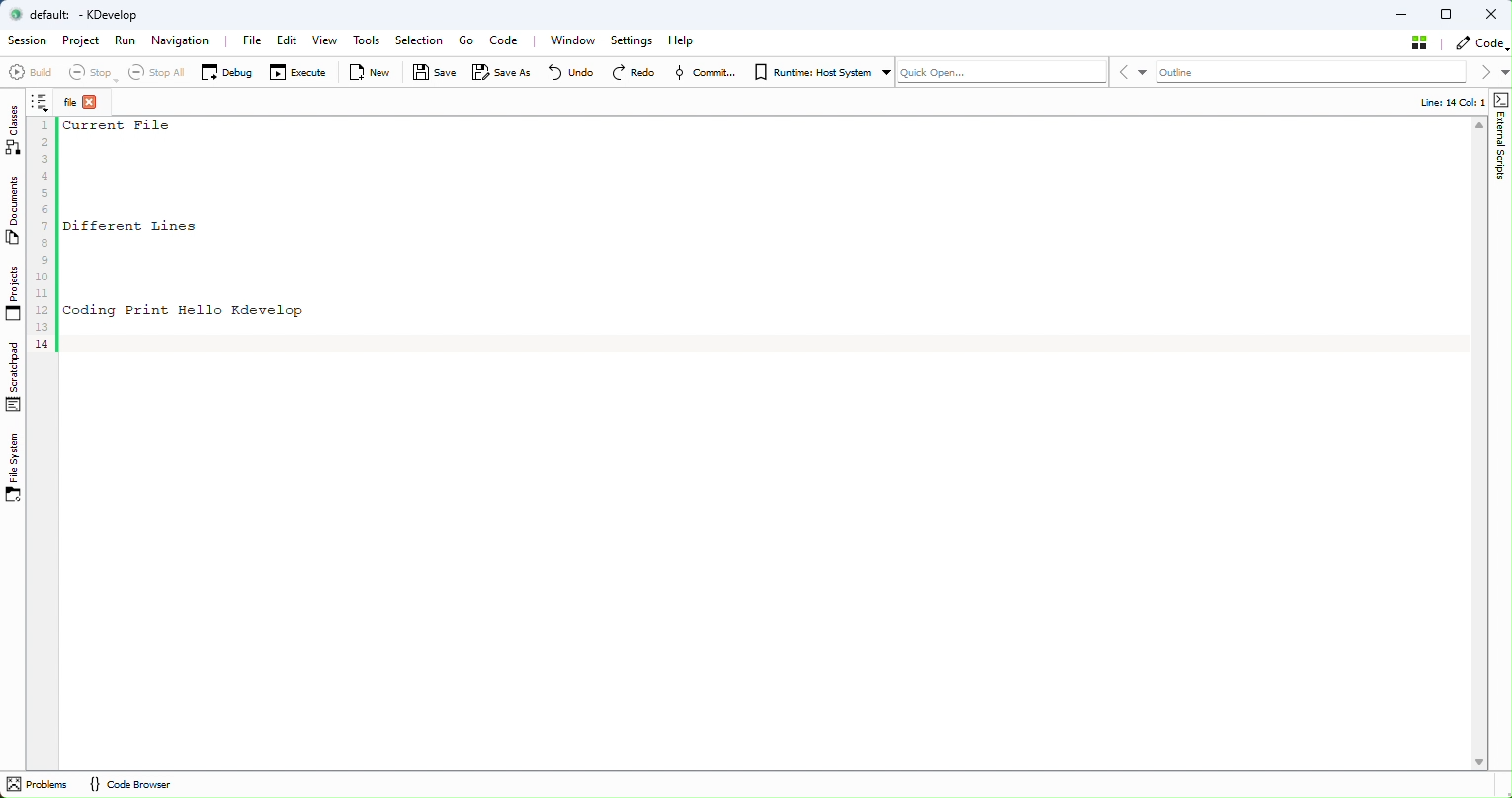 The width and height of the screenshot is (1512, 798). Describe the element at coordinates (287, 41) in the screenshot. I see `Edit` at that location.